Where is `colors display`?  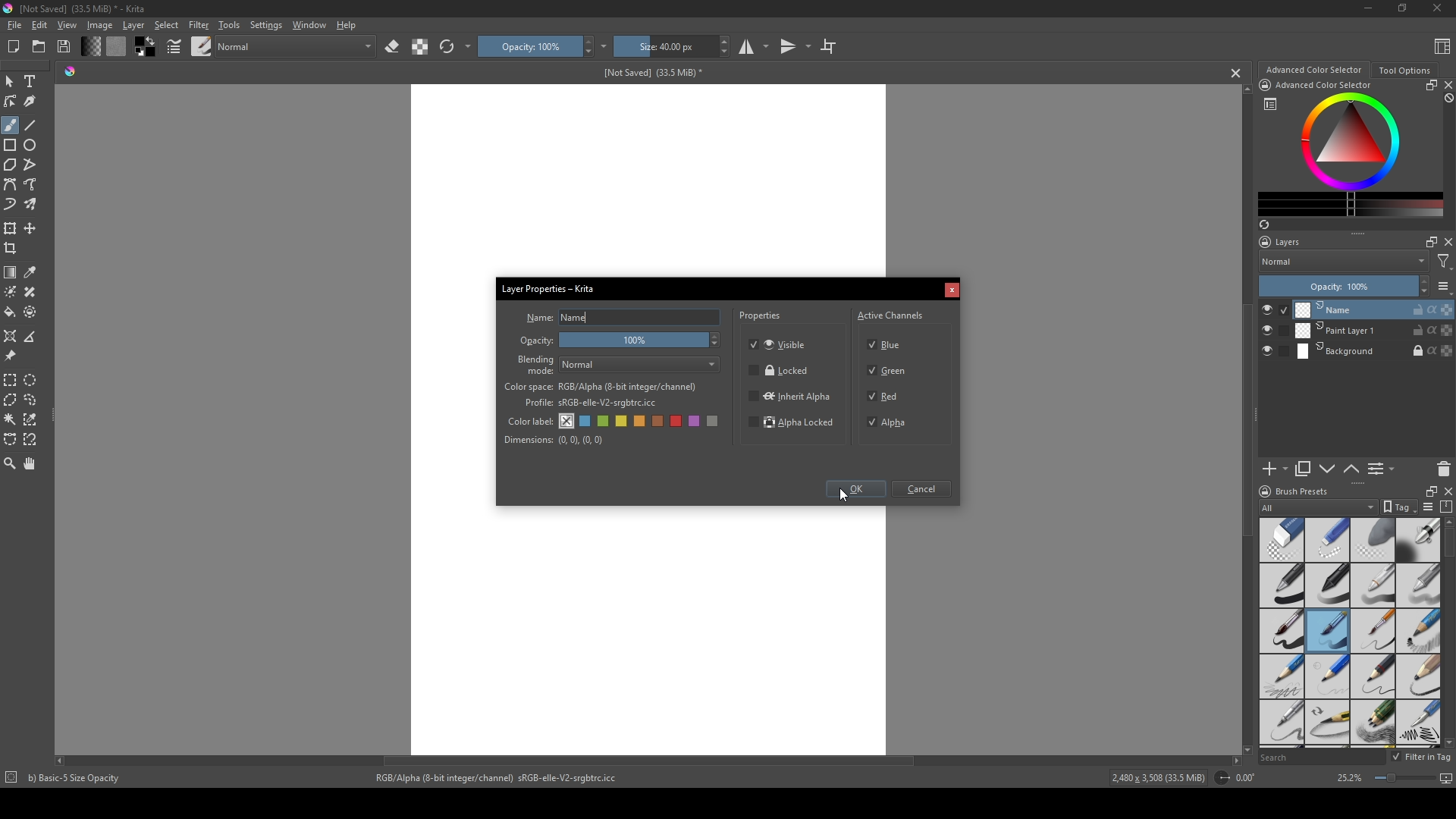 colors display is located at coordinates (1352, 142).